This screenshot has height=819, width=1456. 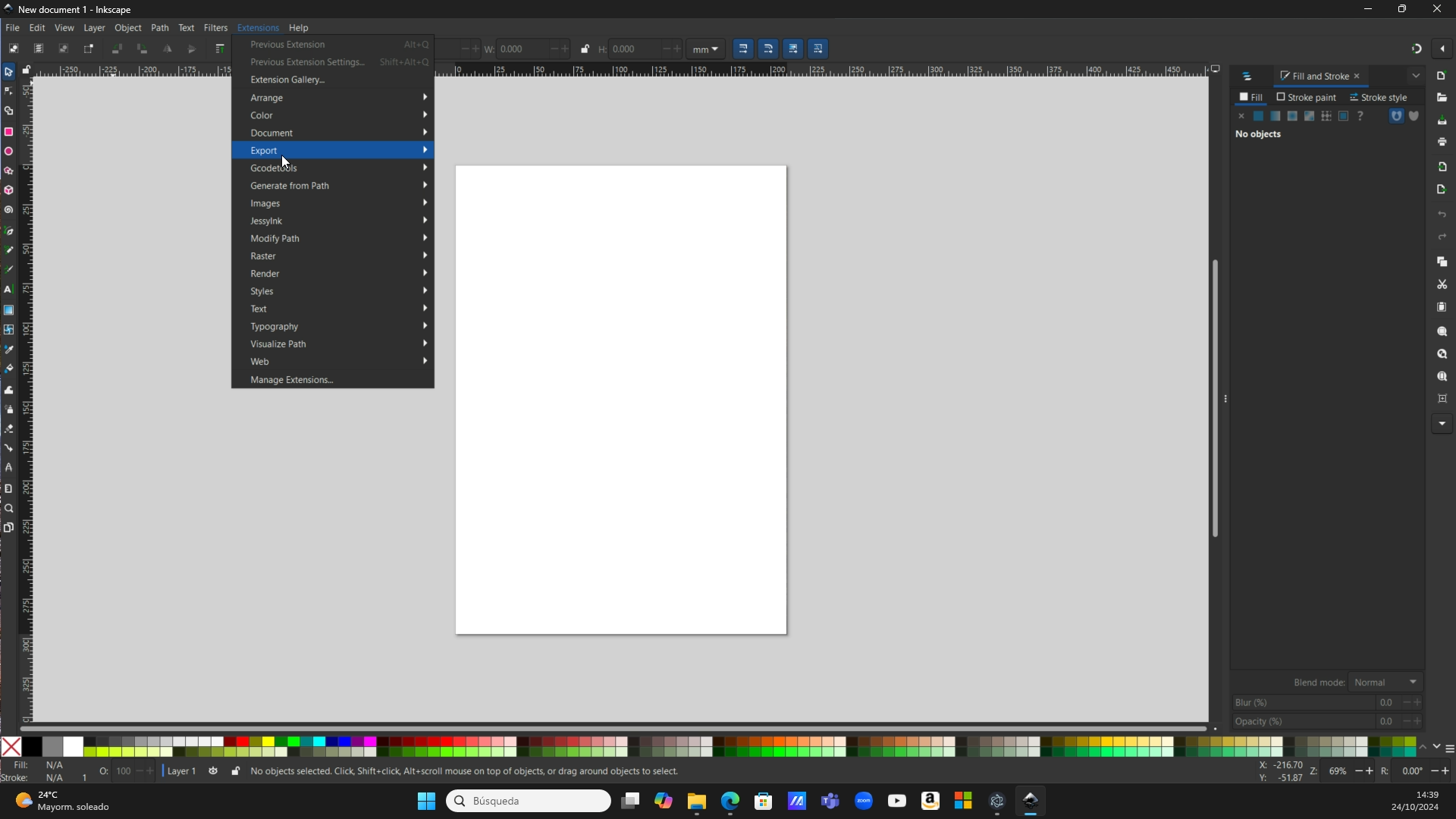 I want to click on lock/unlock, so click(x=30, y=69).